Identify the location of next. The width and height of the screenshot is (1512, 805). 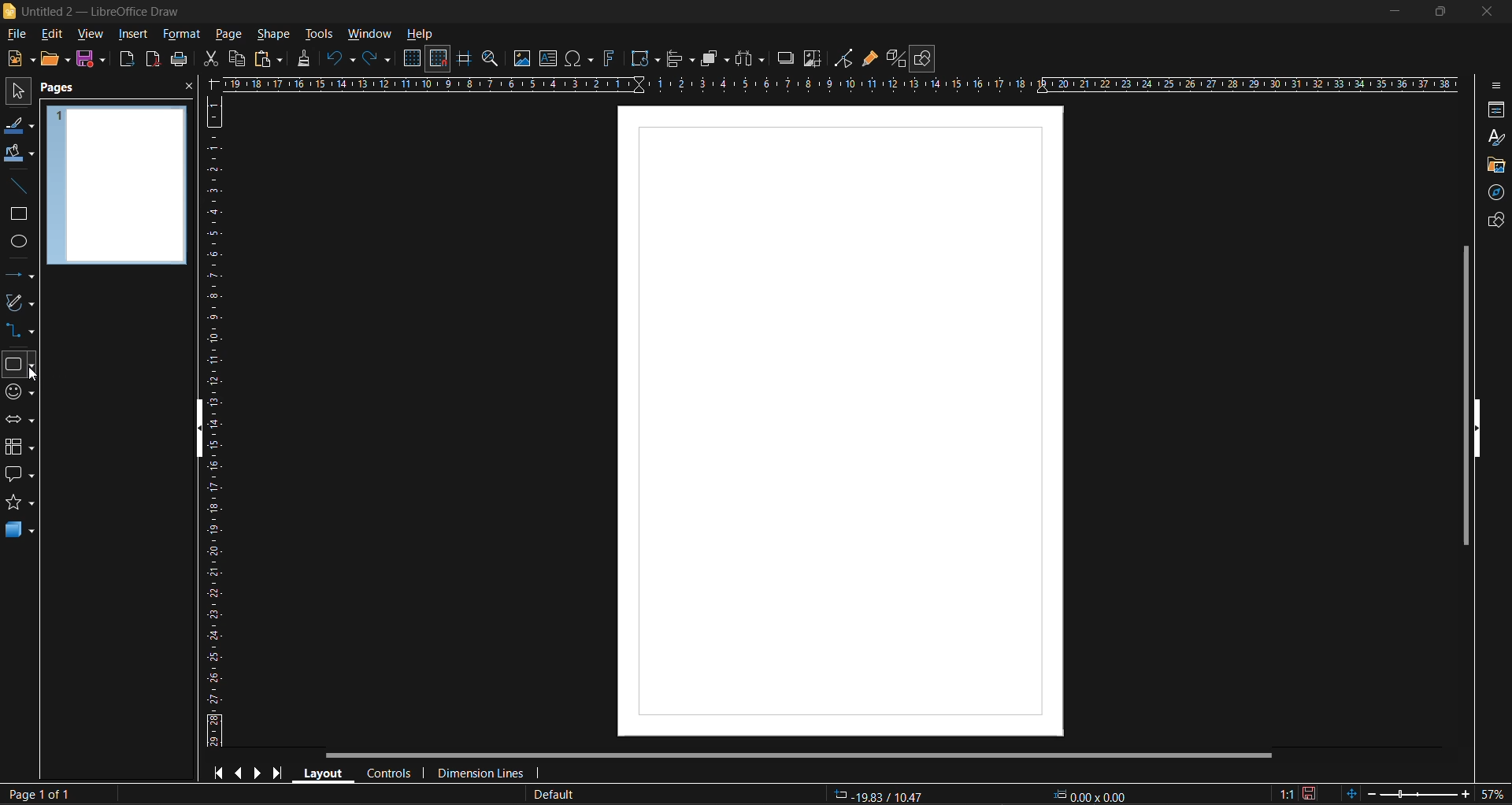
(258, 772).